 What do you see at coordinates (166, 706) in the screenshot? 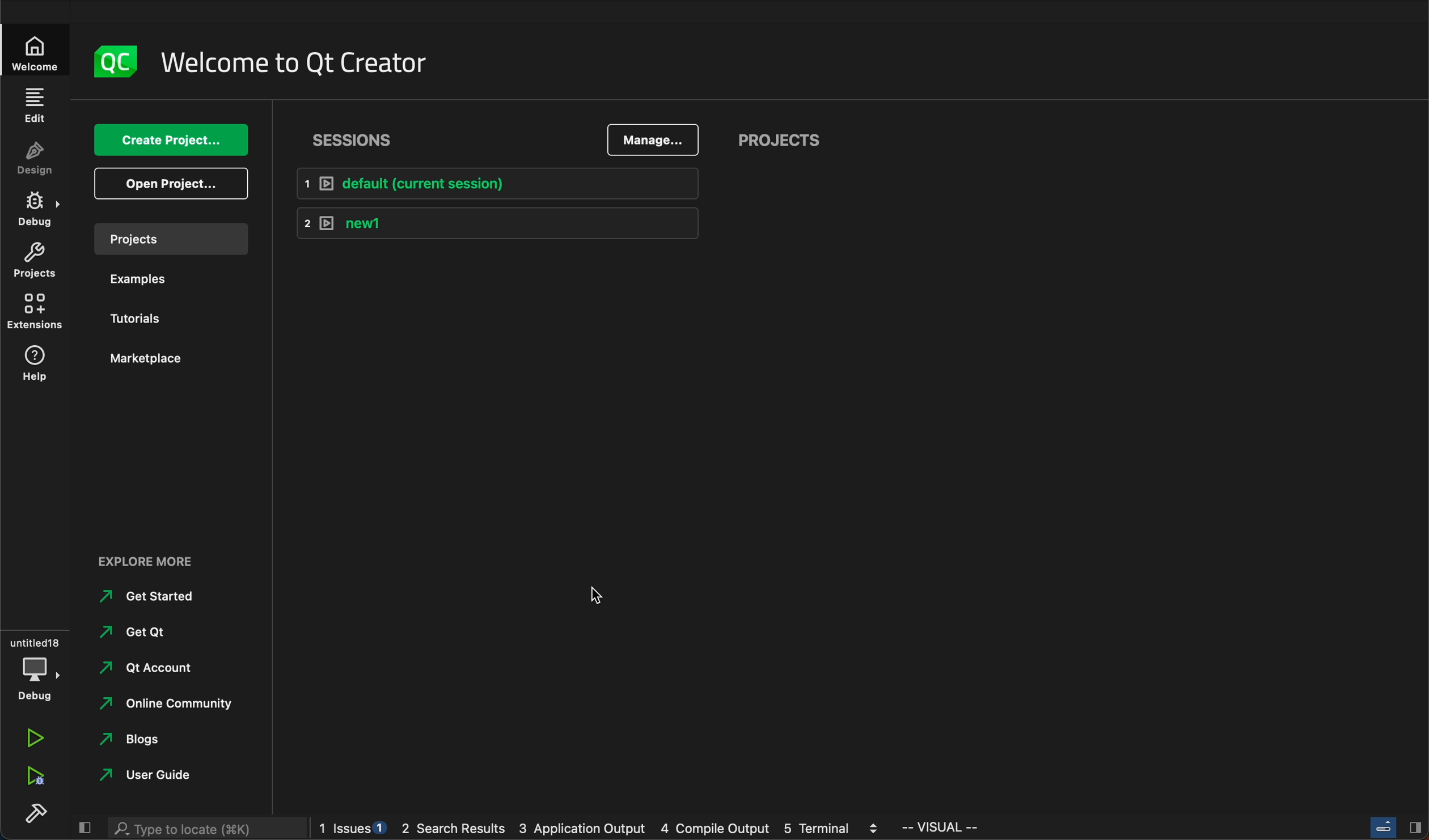
I see `community` at bounding box center [166, 706].